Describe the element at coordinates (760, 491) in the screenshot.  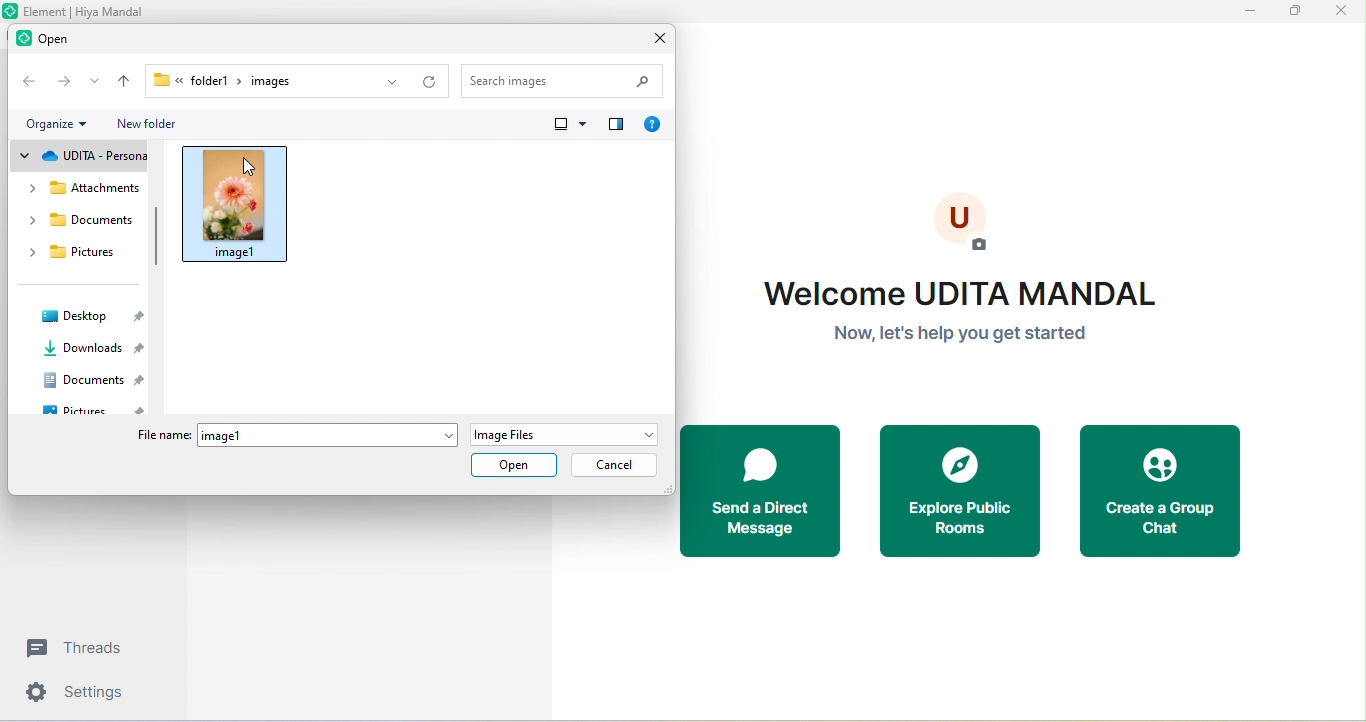
I see `send a direct message` at that location.